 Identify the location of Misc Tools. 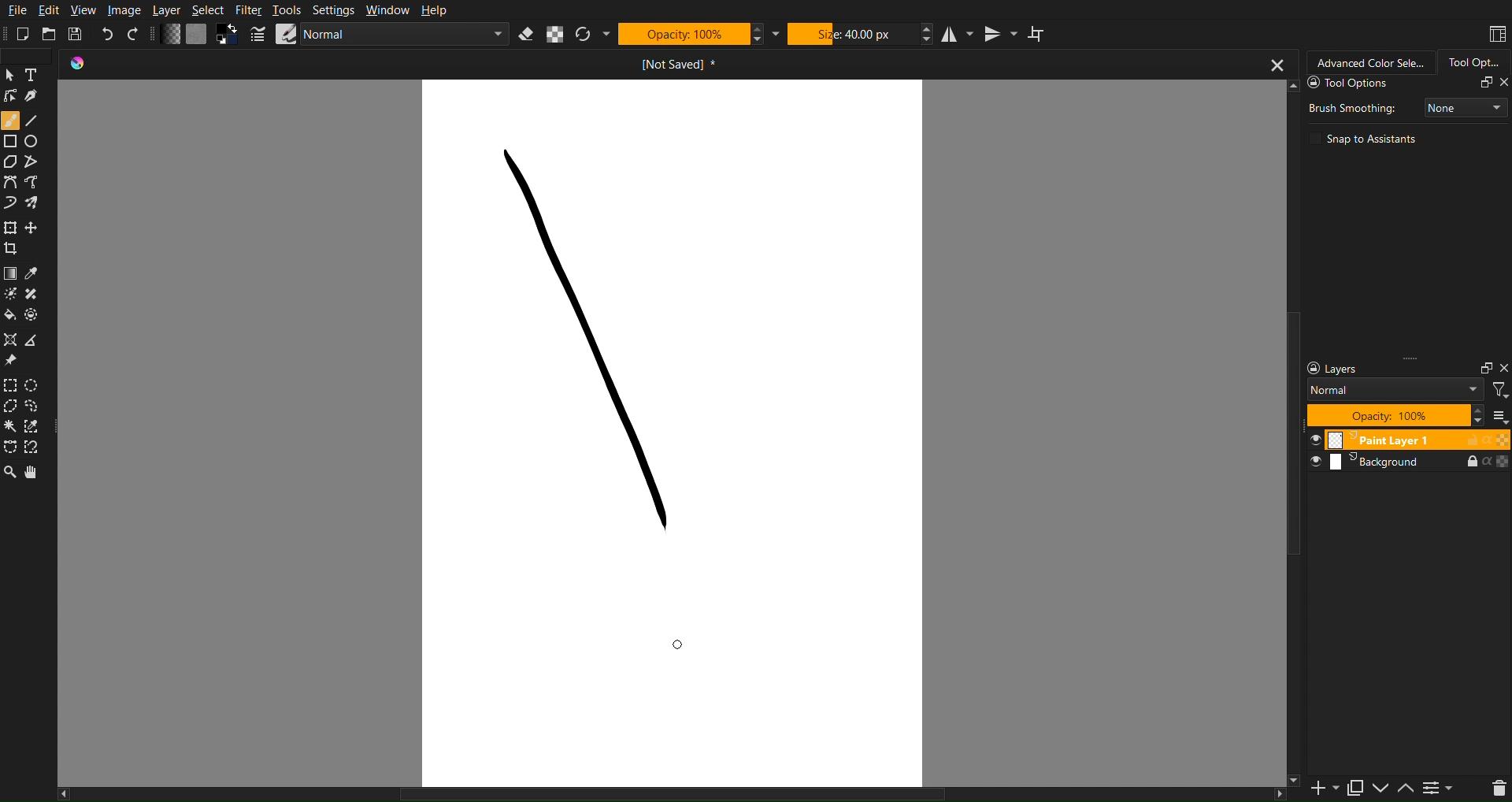
(13, 337).